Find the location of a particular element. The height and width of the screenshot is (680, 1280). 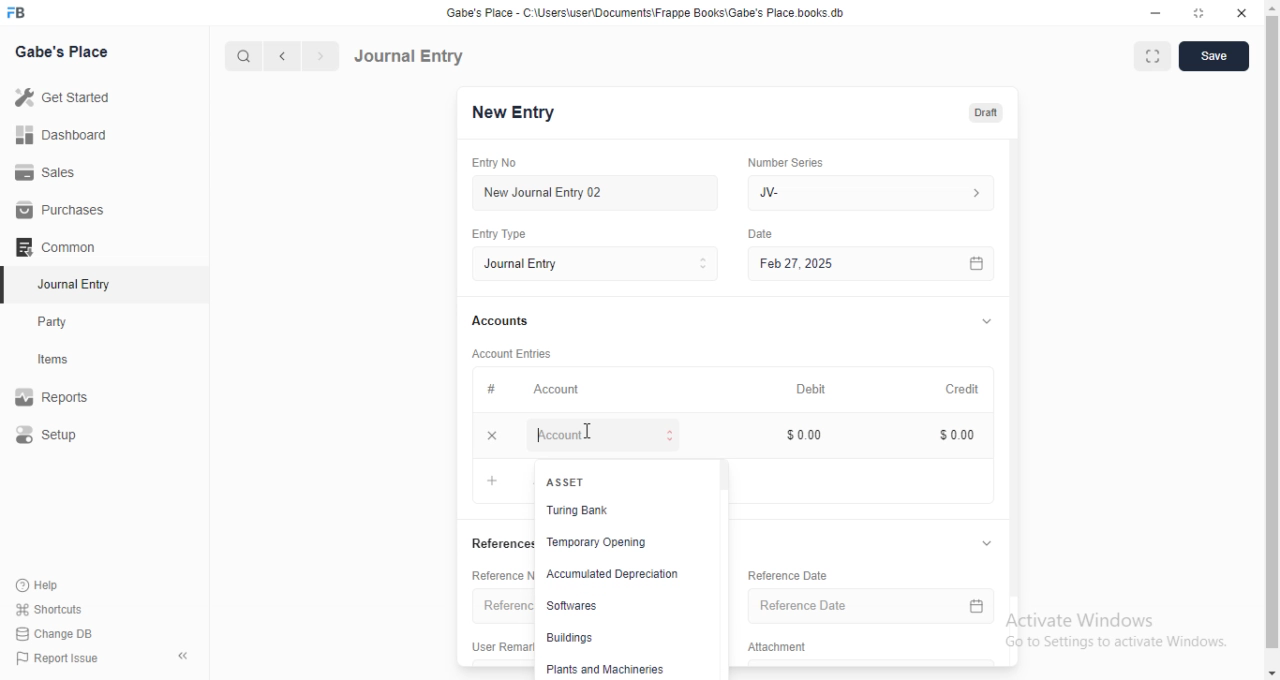

Next is located at coordinates (319, 56).